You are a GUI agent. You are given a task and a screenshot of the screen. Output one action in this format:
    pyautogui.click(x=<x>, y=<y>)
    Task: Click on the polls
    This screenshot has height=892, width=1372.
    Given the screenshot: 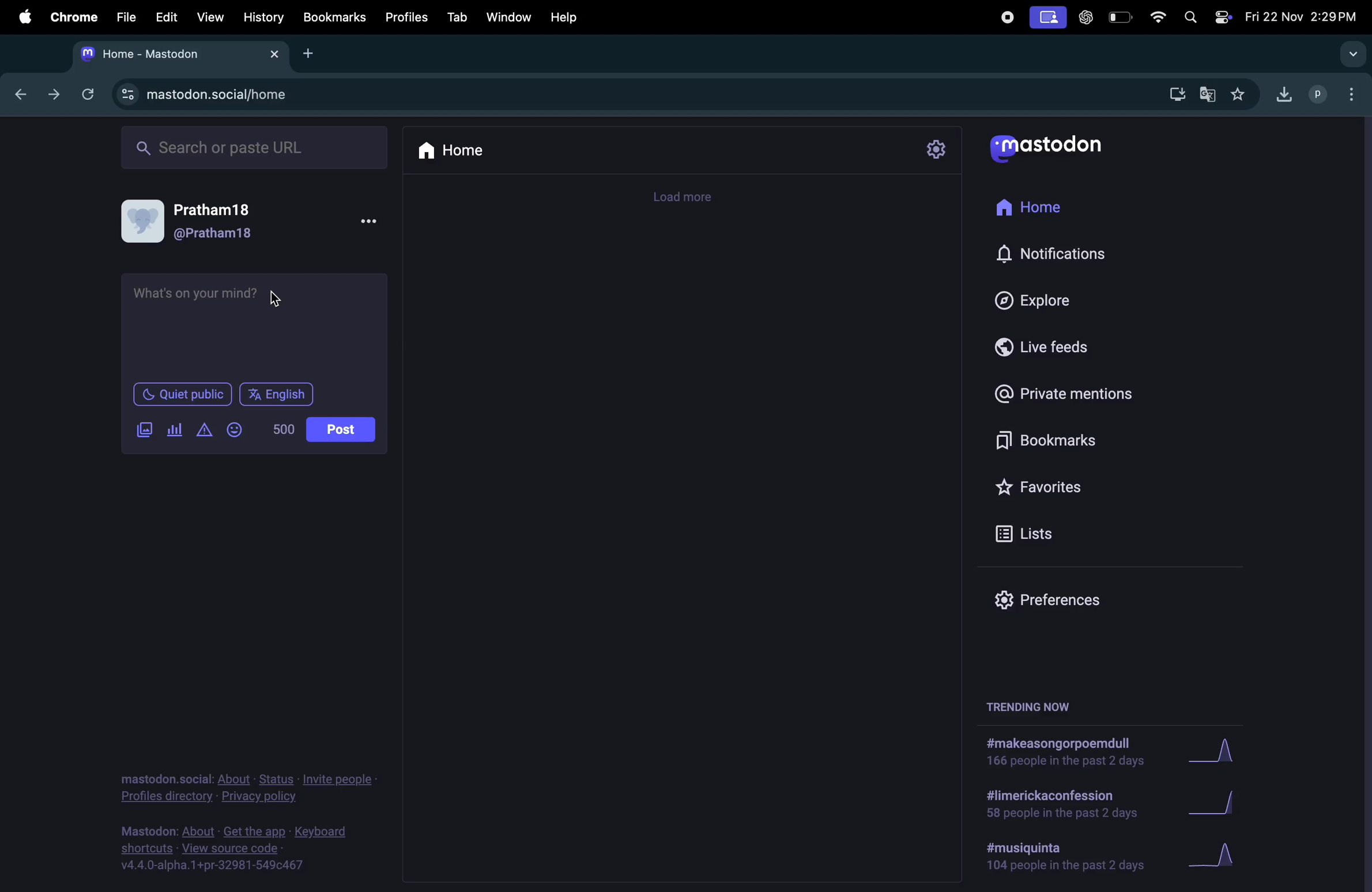 What is the action you would take?
    pyautogui.click(x=174, y=432)
    